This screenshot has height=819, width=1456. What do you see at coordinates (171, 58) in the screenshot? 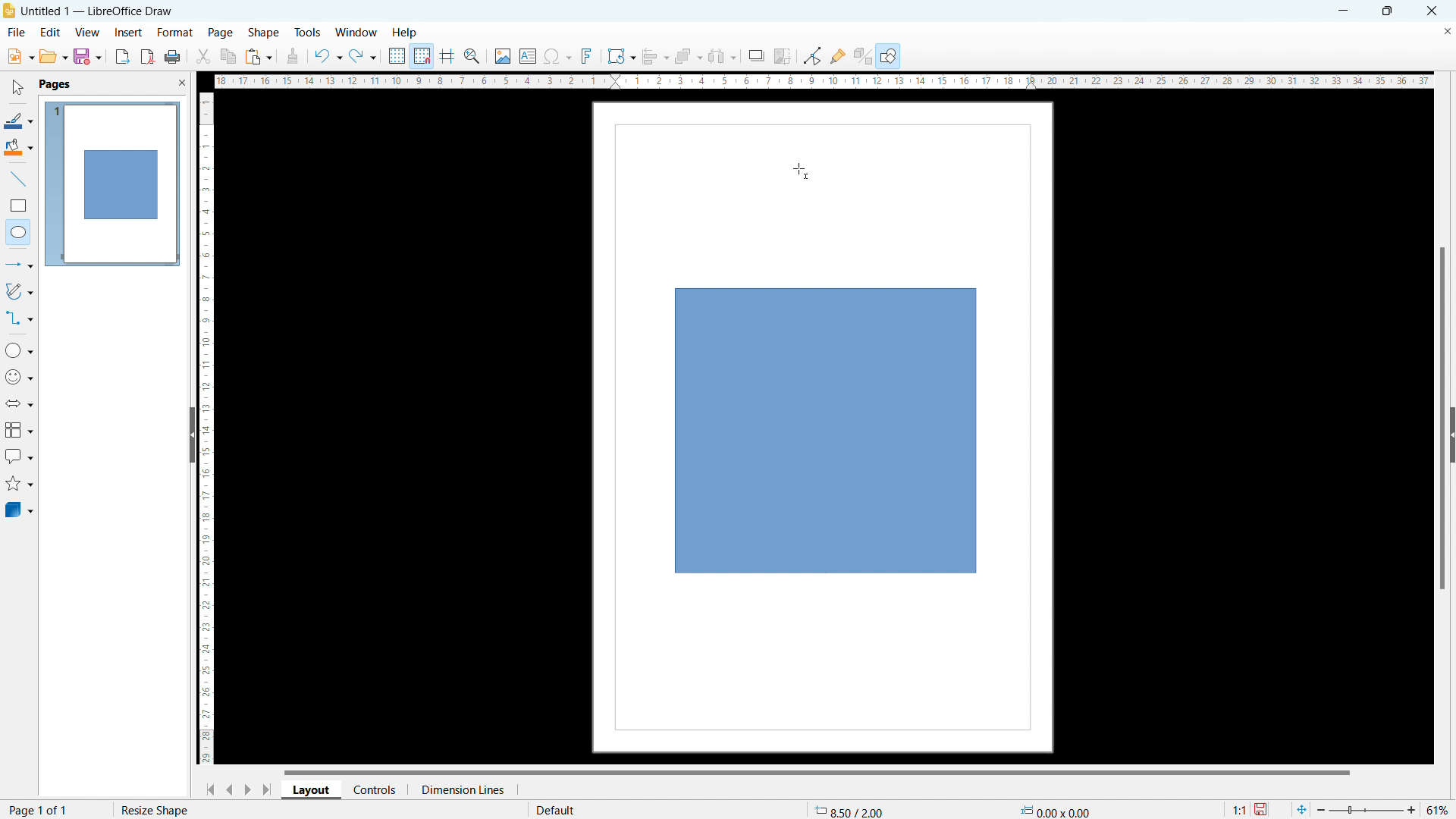
I see `print` at bounding box center [171, 58].